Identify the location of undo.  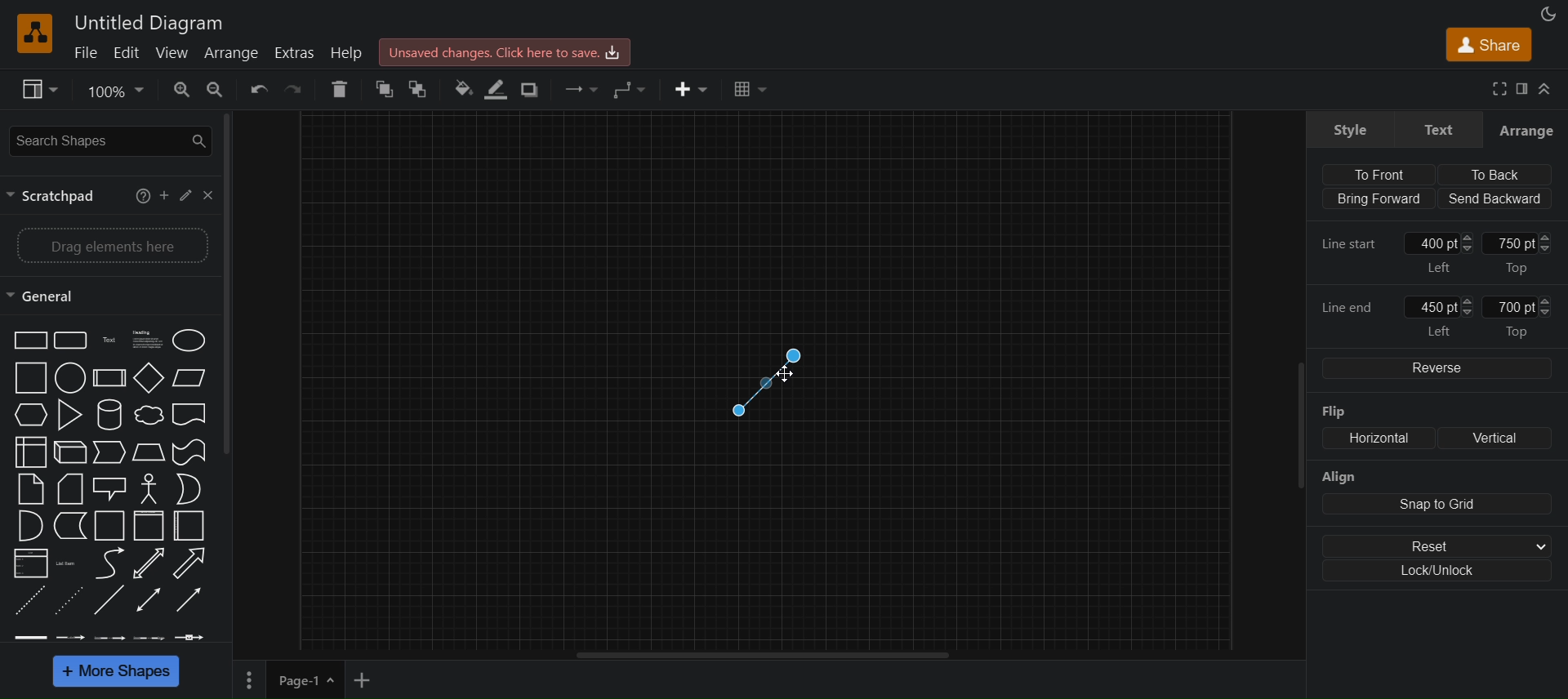
(263, 91).